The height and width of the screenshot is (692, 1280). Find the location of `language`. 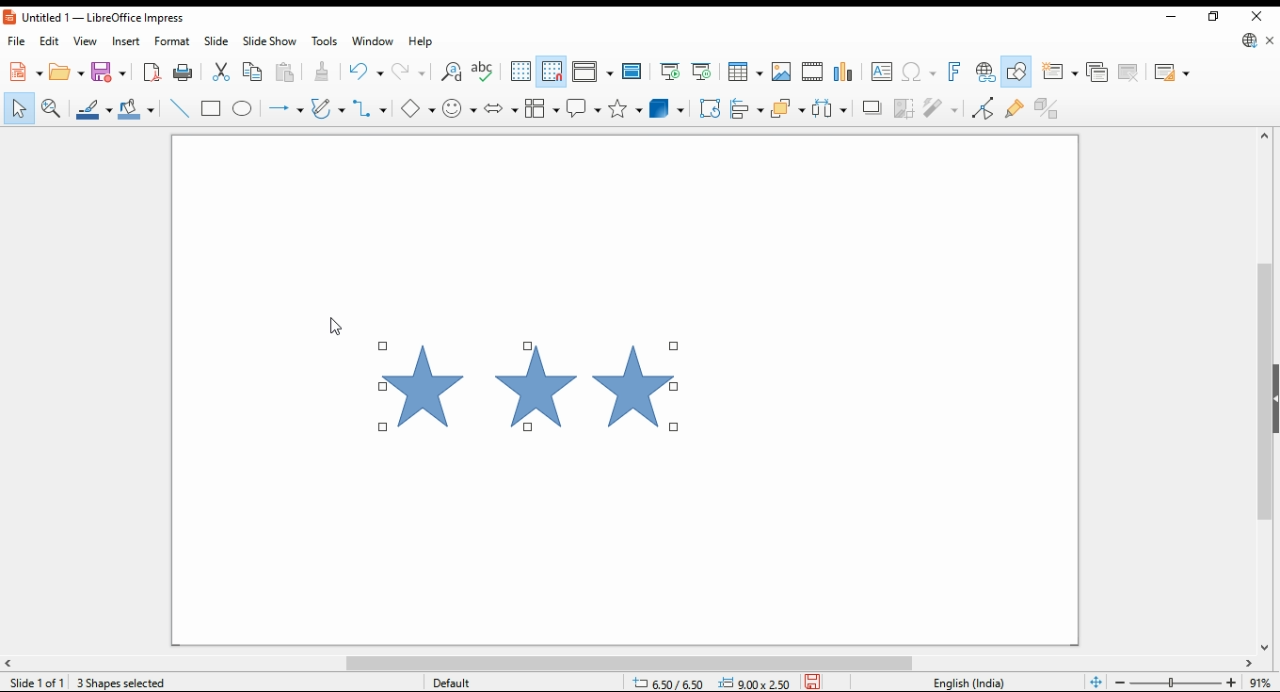

language is located at coordinates (974, 682).